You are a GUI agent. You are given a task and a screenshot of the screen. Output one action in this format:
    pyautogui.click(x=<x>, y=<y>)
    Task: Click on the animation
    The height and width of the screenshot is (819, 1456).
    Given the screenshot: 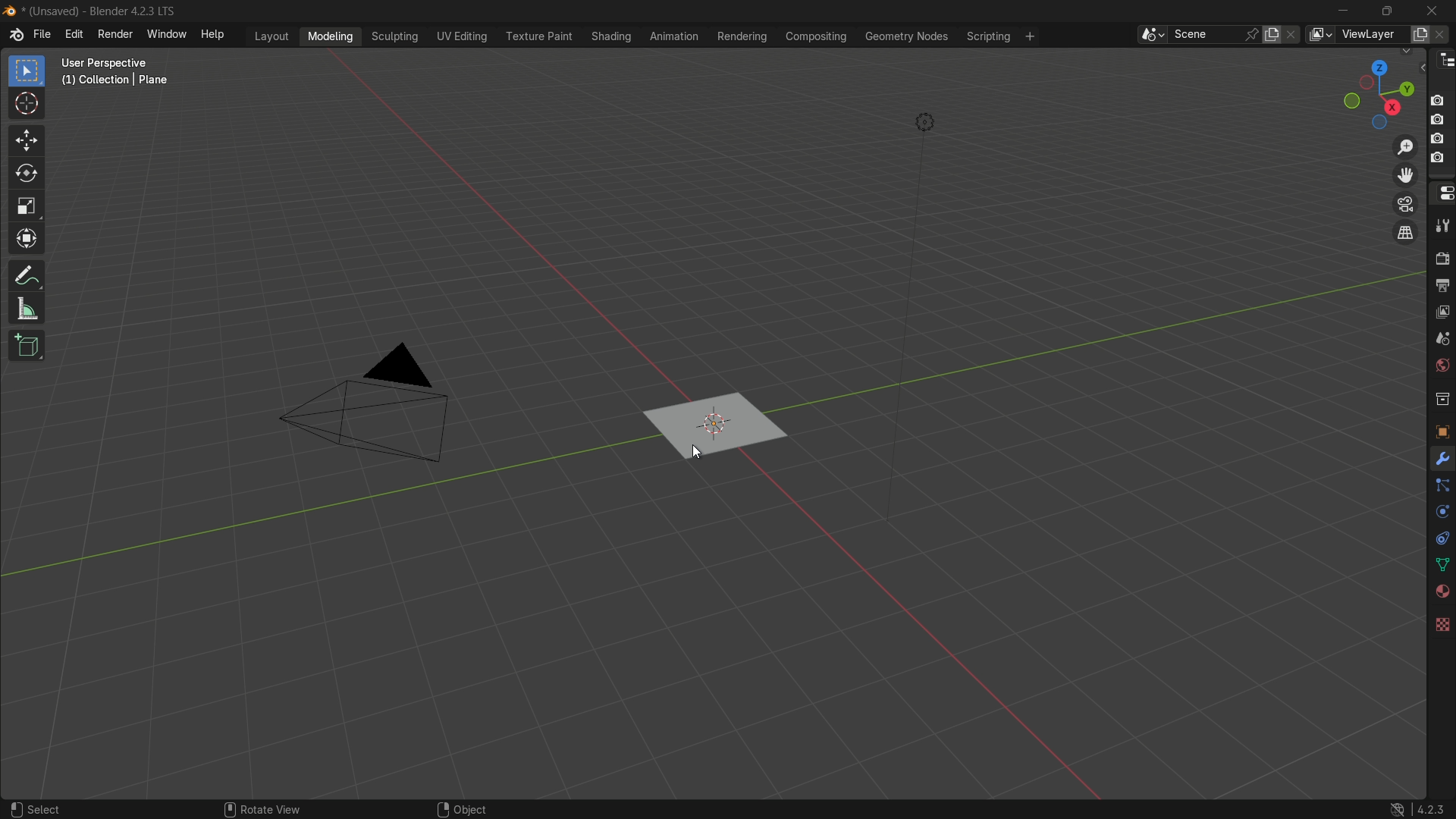 What is the action you would take?
    pyautogui.click(x=676, y=36)
    